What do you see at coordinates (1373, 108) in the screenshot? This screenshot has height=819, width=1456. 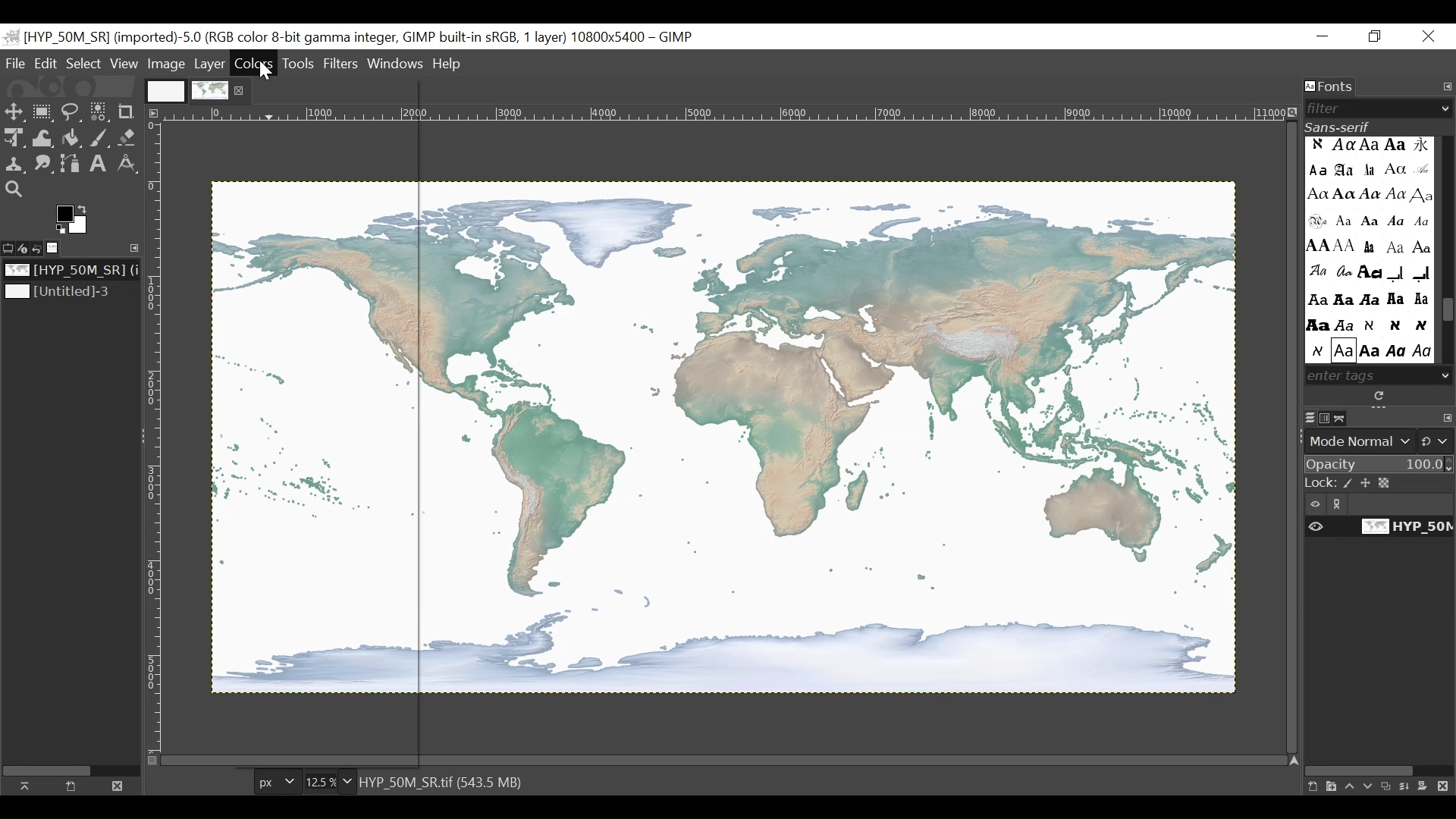 I see `Filter` at bounding box center [1373, 108].